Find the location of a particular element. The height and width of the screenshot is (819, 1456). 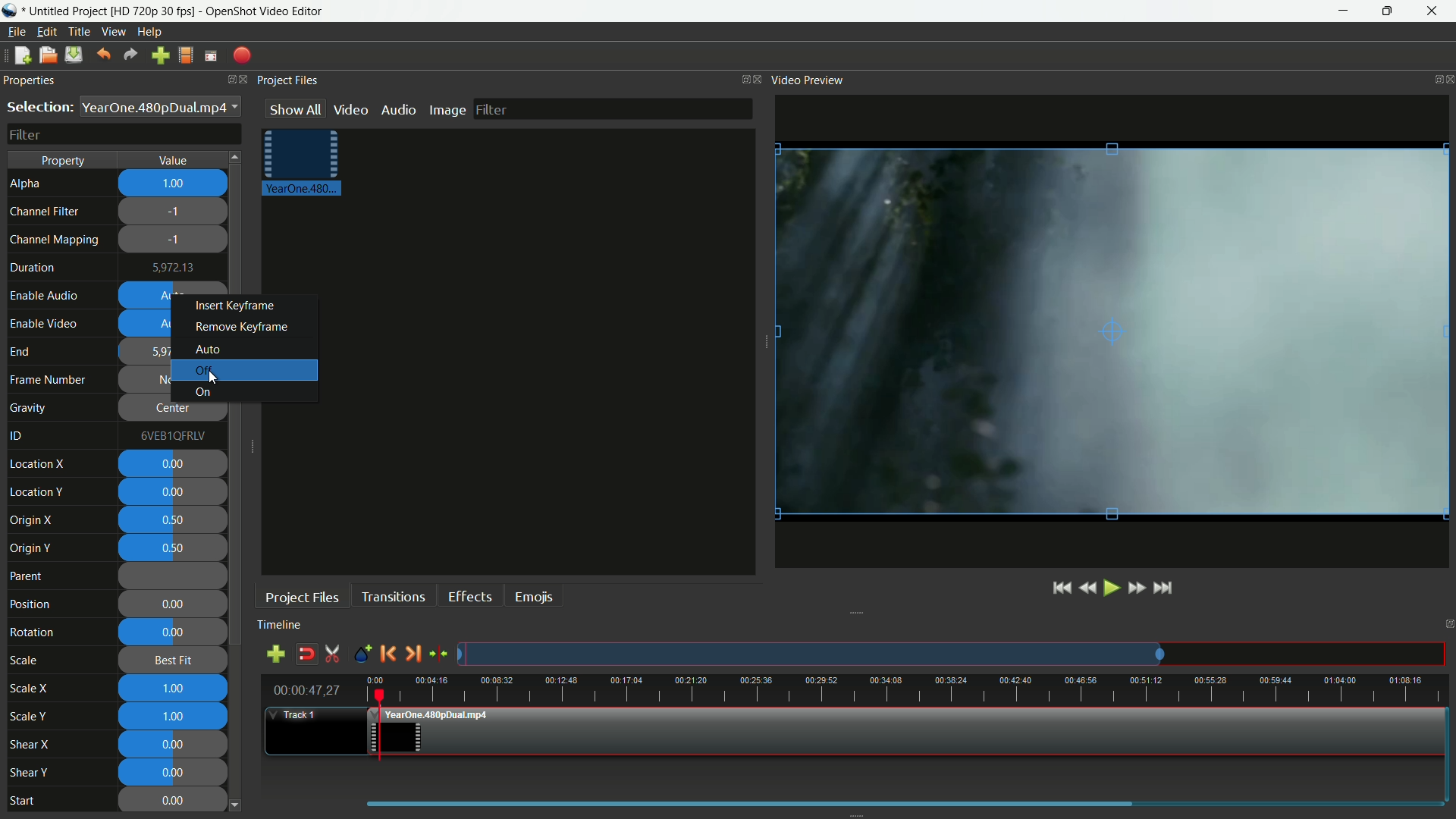

project name is located at coordinates (62, 11).